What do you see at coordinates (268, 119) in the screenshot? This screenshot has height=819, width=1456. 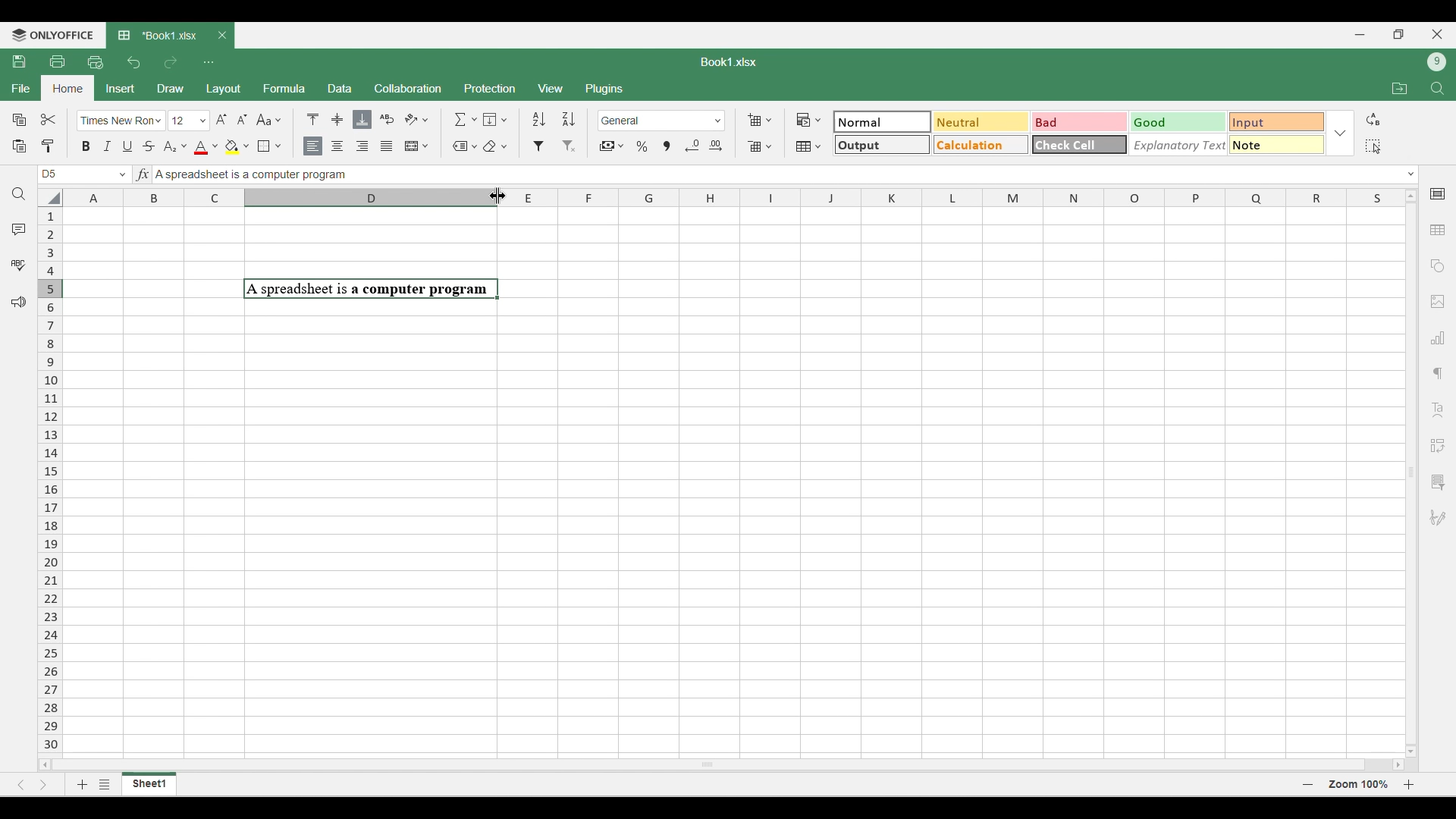 I see `Change case` at bounding box center [268, 119].